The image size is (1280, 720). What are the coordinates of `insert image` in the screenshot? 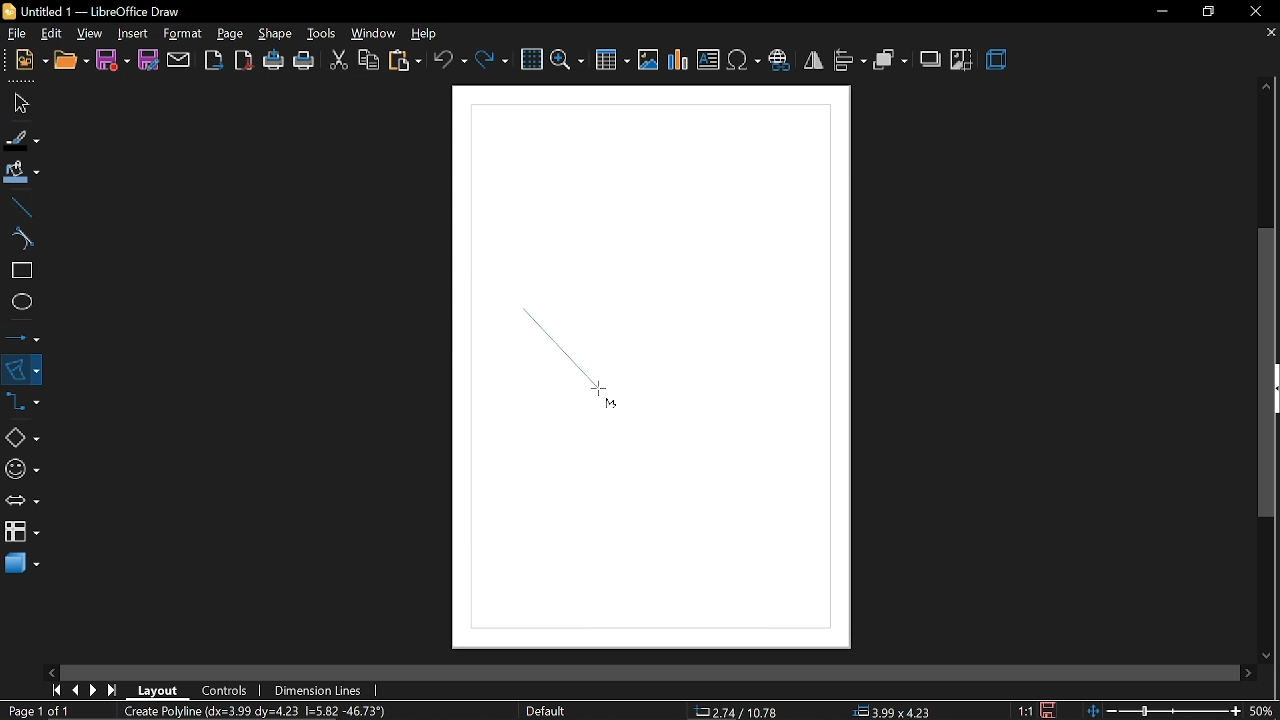 It's located at (650, 60).